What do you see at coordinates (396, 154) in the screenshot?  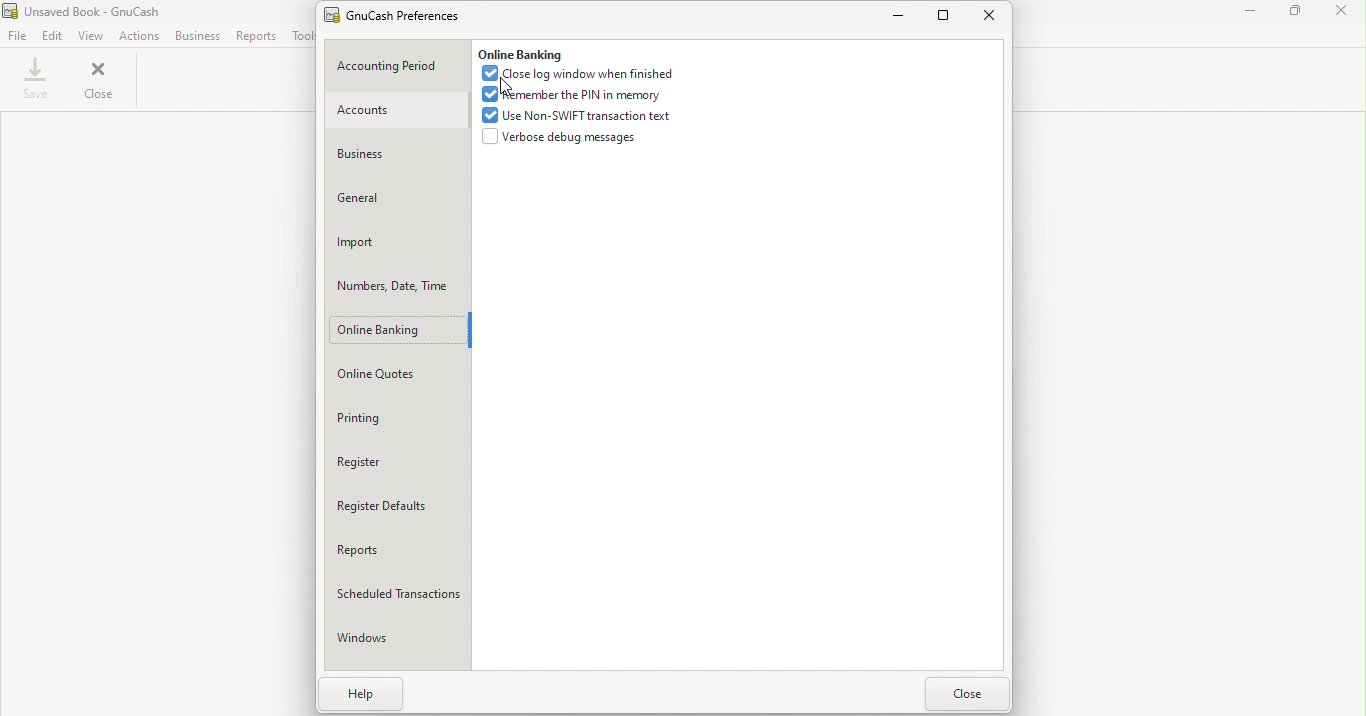 I see `Business` at bounding box center [396, 154].